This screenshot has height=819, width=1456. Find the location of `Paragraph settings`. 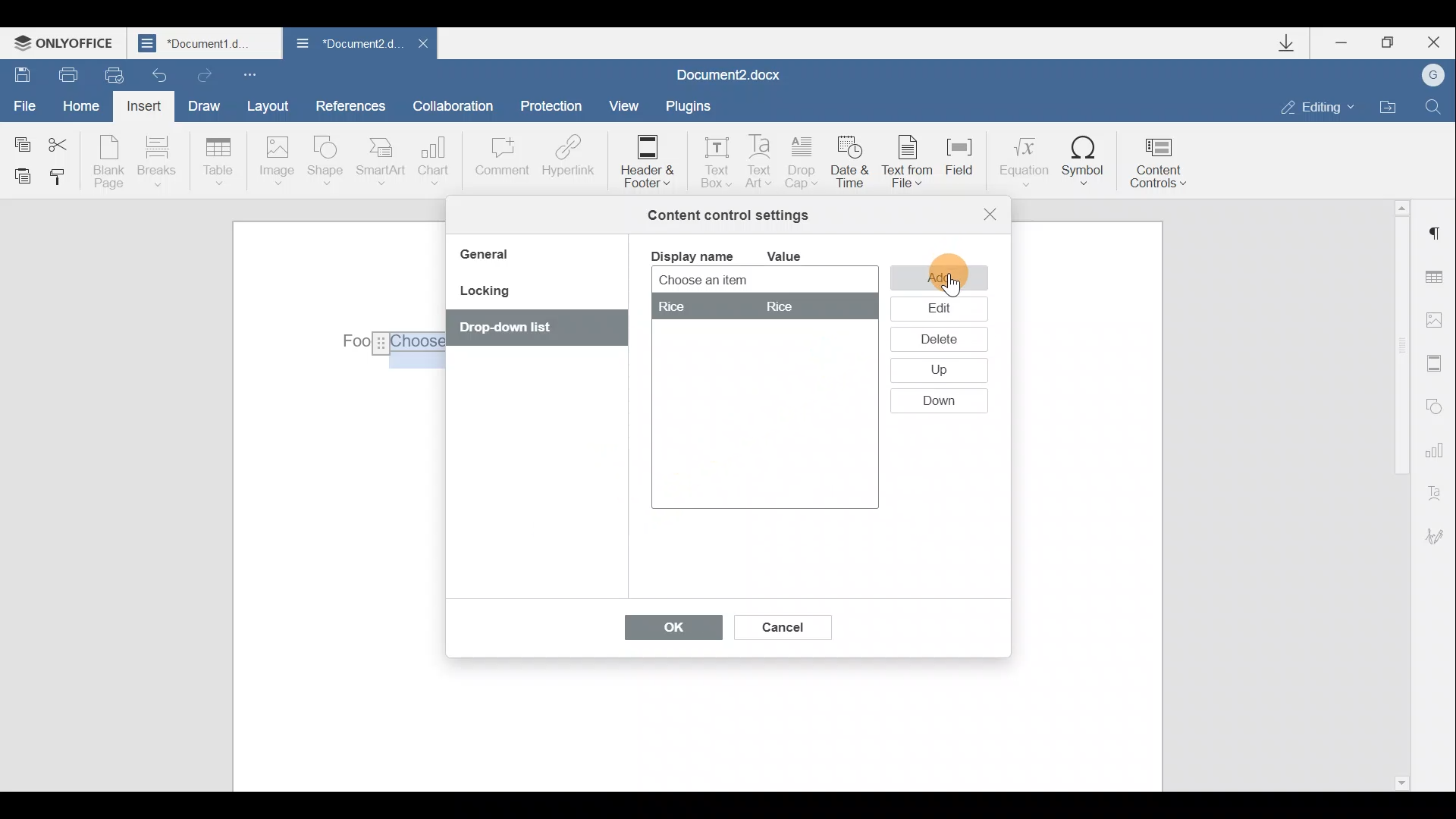

Paragraph settings is located at coordinates (1436, 234).